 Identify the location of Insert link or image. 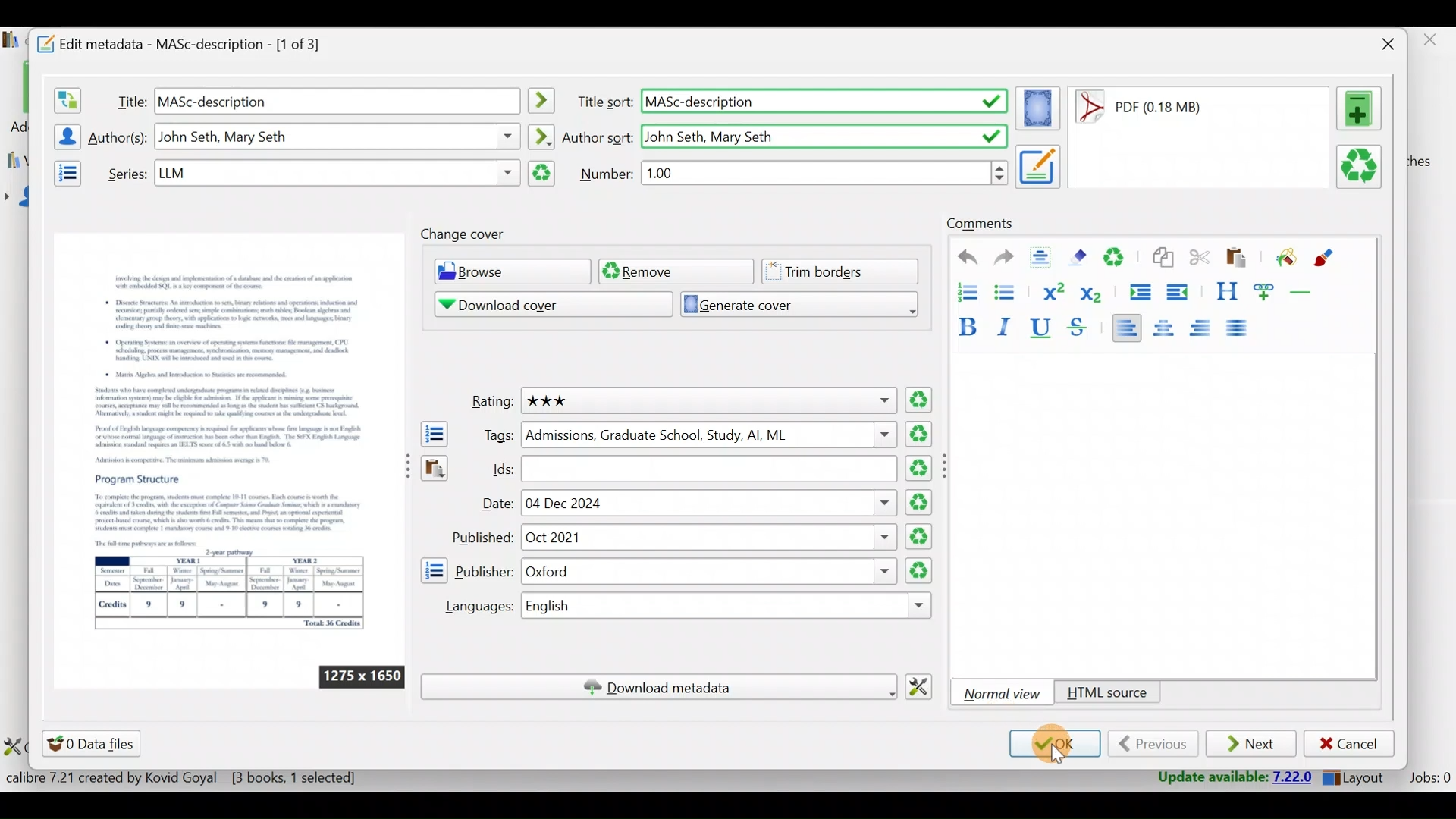
(1267, 291).